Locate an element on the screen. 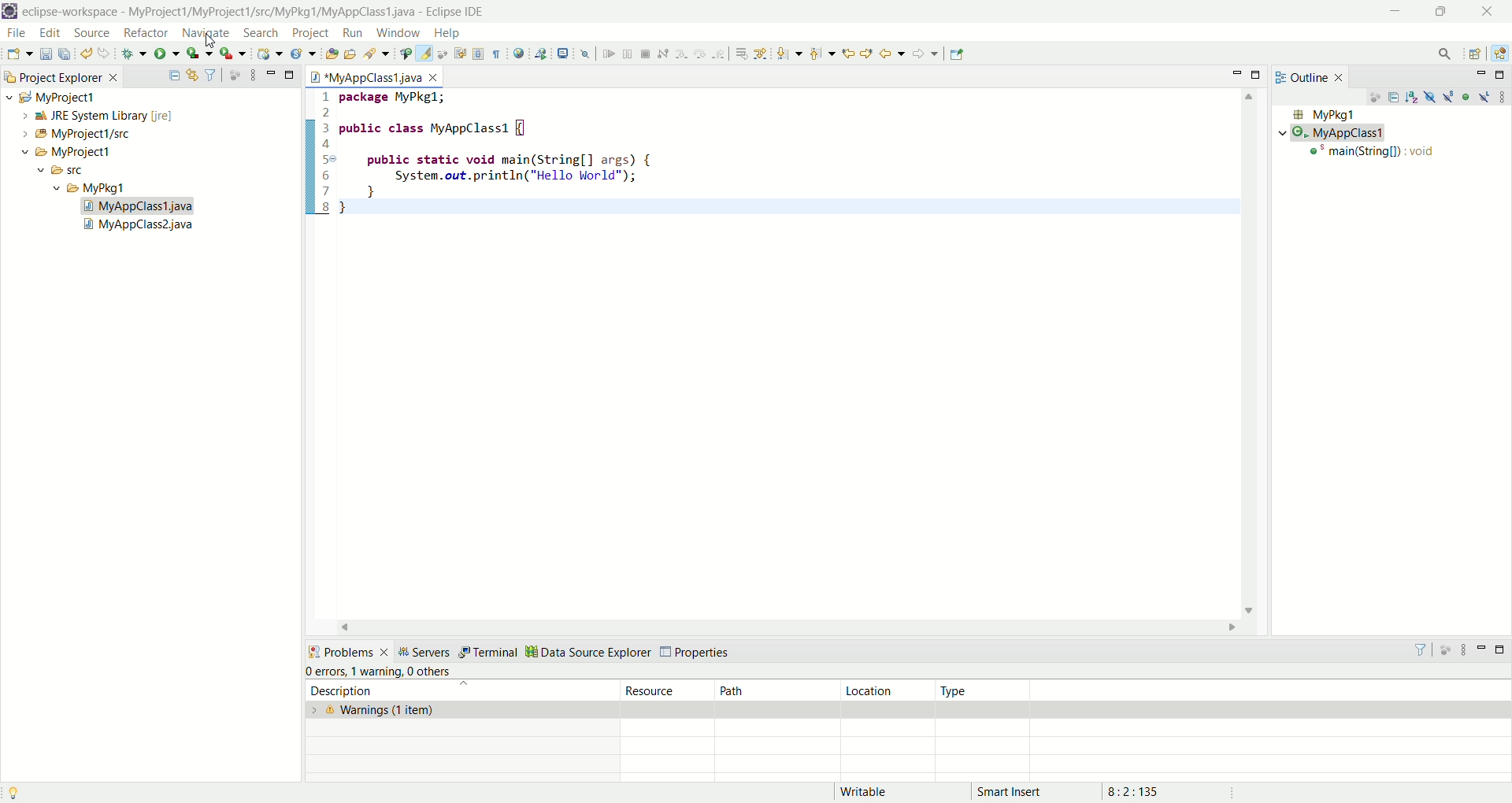 This screenshot has height=803, width=1512. my project1 is located at coordinates (49, 97).